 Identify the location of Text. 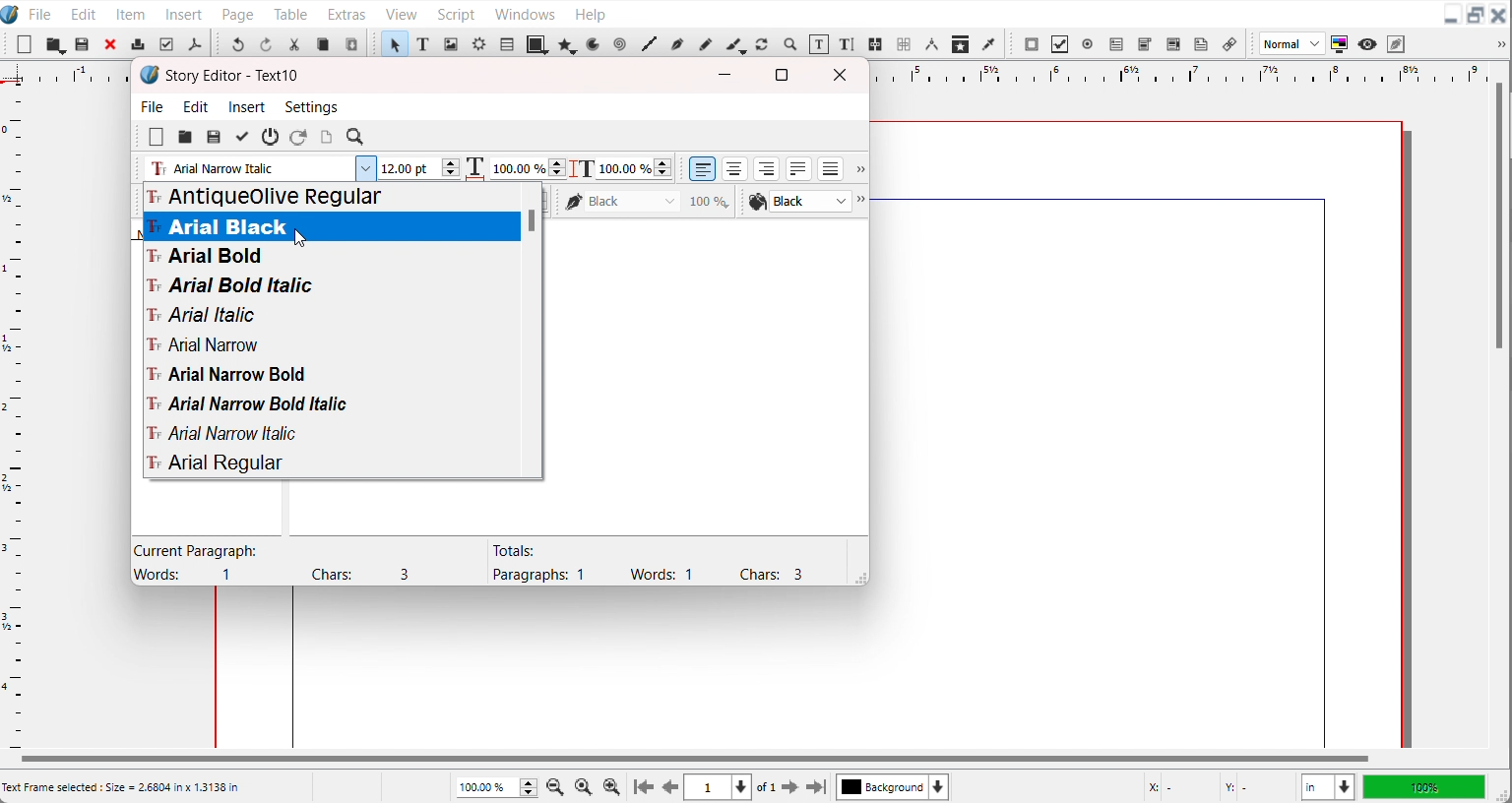
(647, 562).